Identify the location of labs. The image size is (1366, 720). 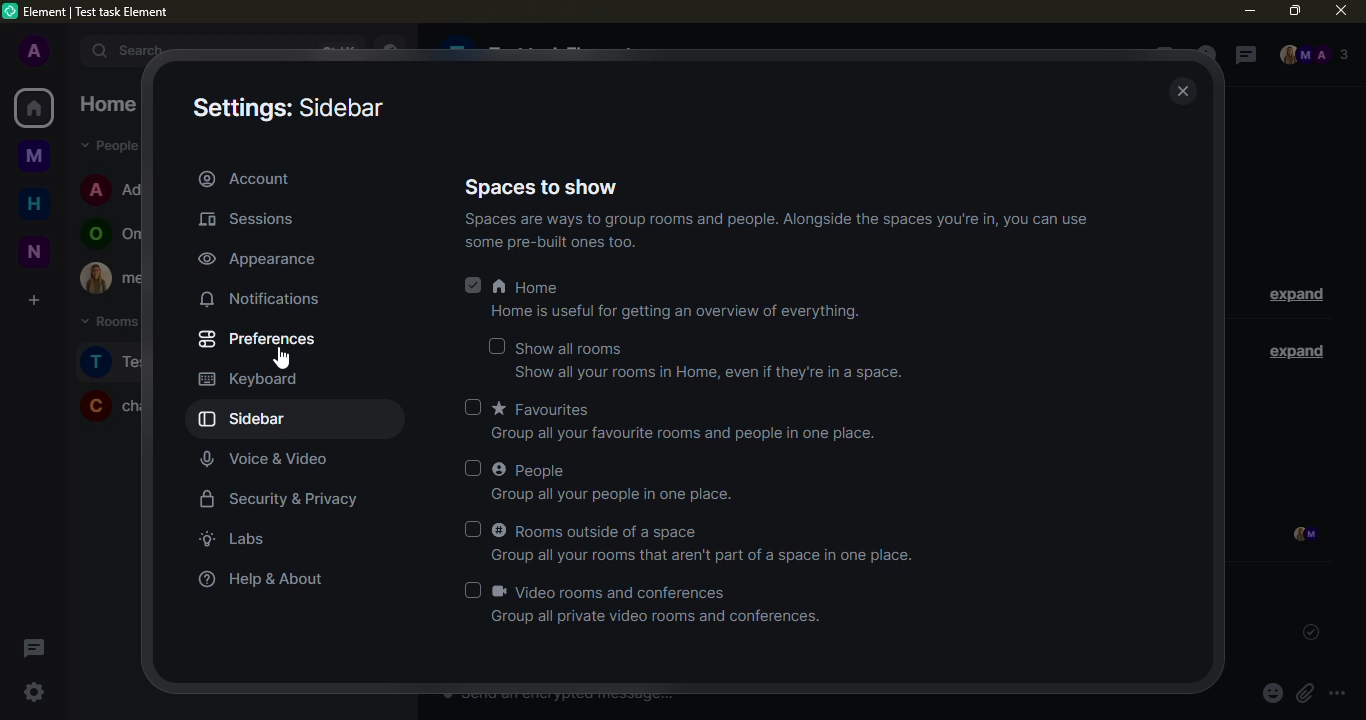
(232, 538).